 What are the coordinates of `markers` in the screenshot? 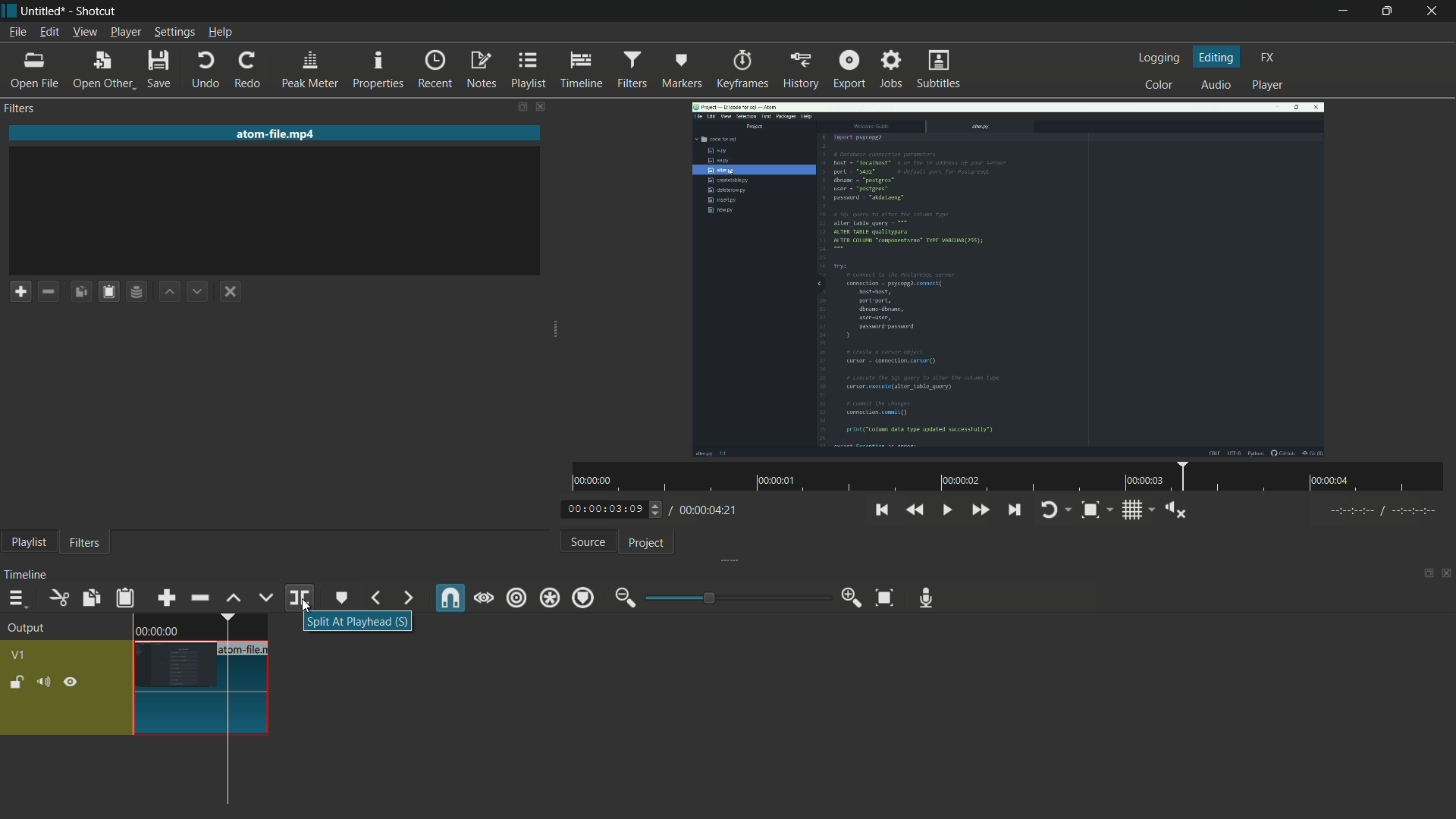 It's located at (681, 71).